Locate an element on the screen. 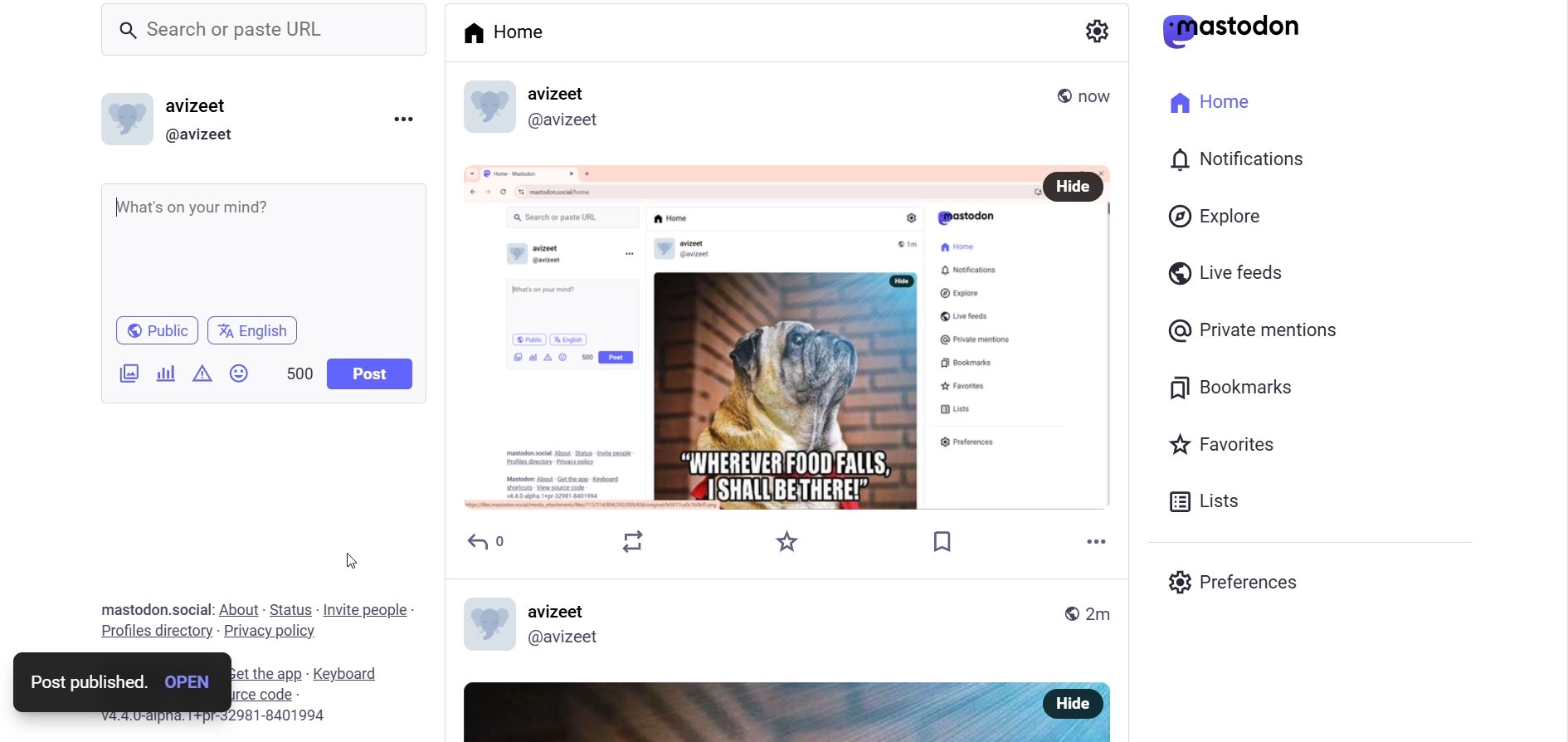  image/videos is located at coordinates (126, 373).